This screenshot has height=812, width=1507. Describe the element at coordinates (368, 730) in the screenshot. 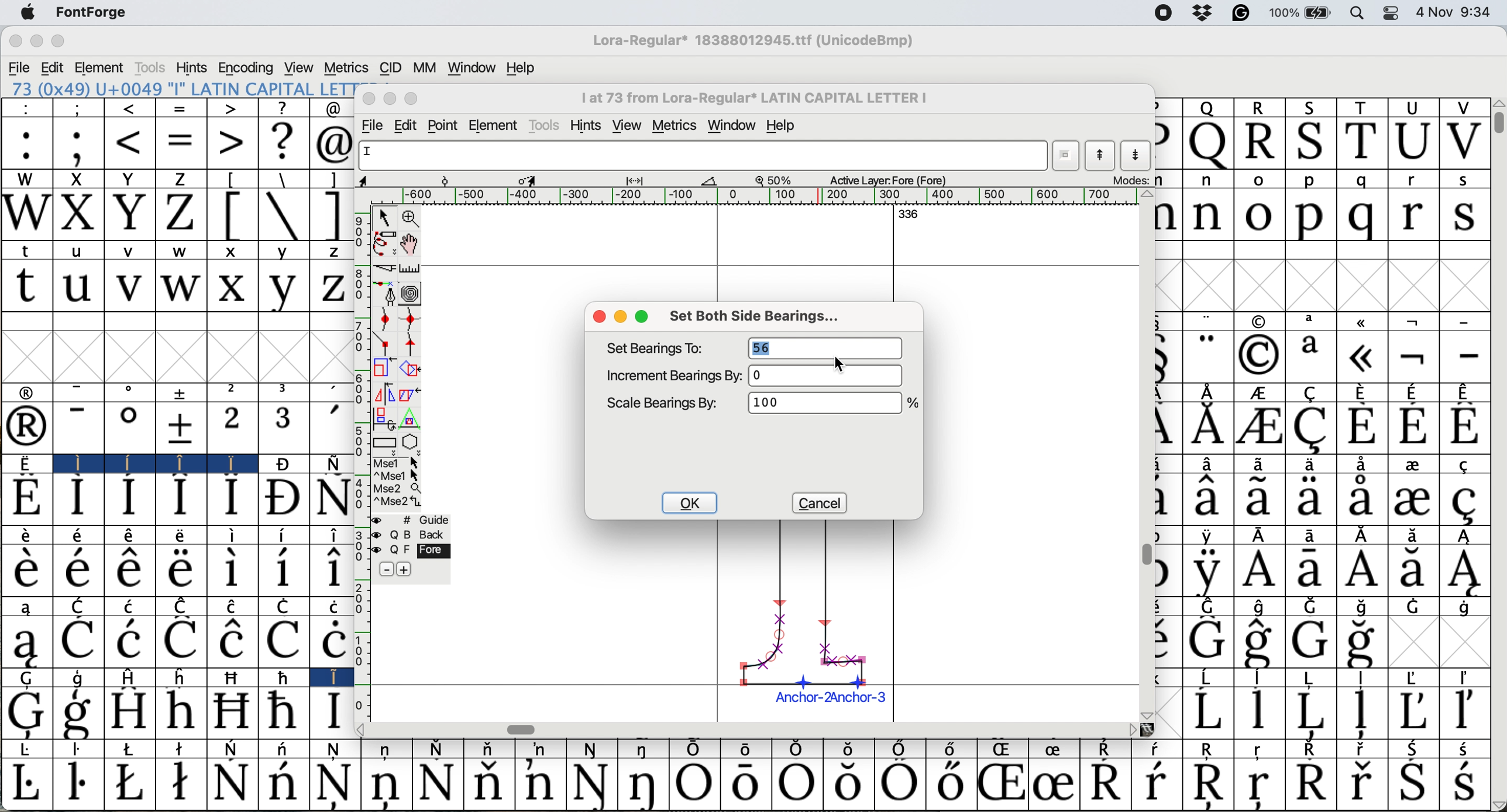

I see `` at that location.